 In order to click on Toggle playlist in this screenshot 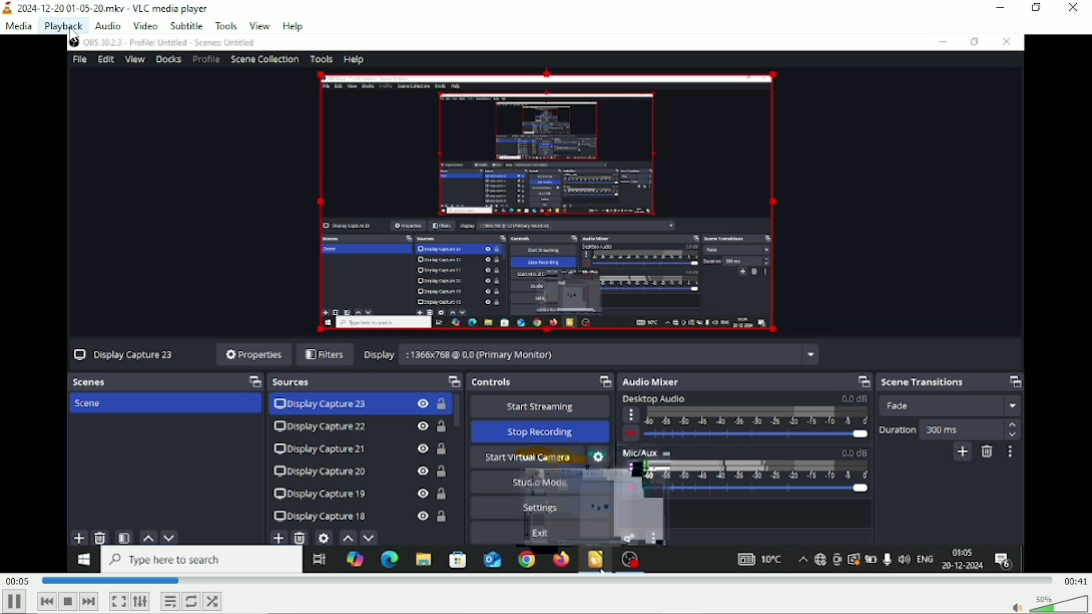, I will do `click(170, 601)`.